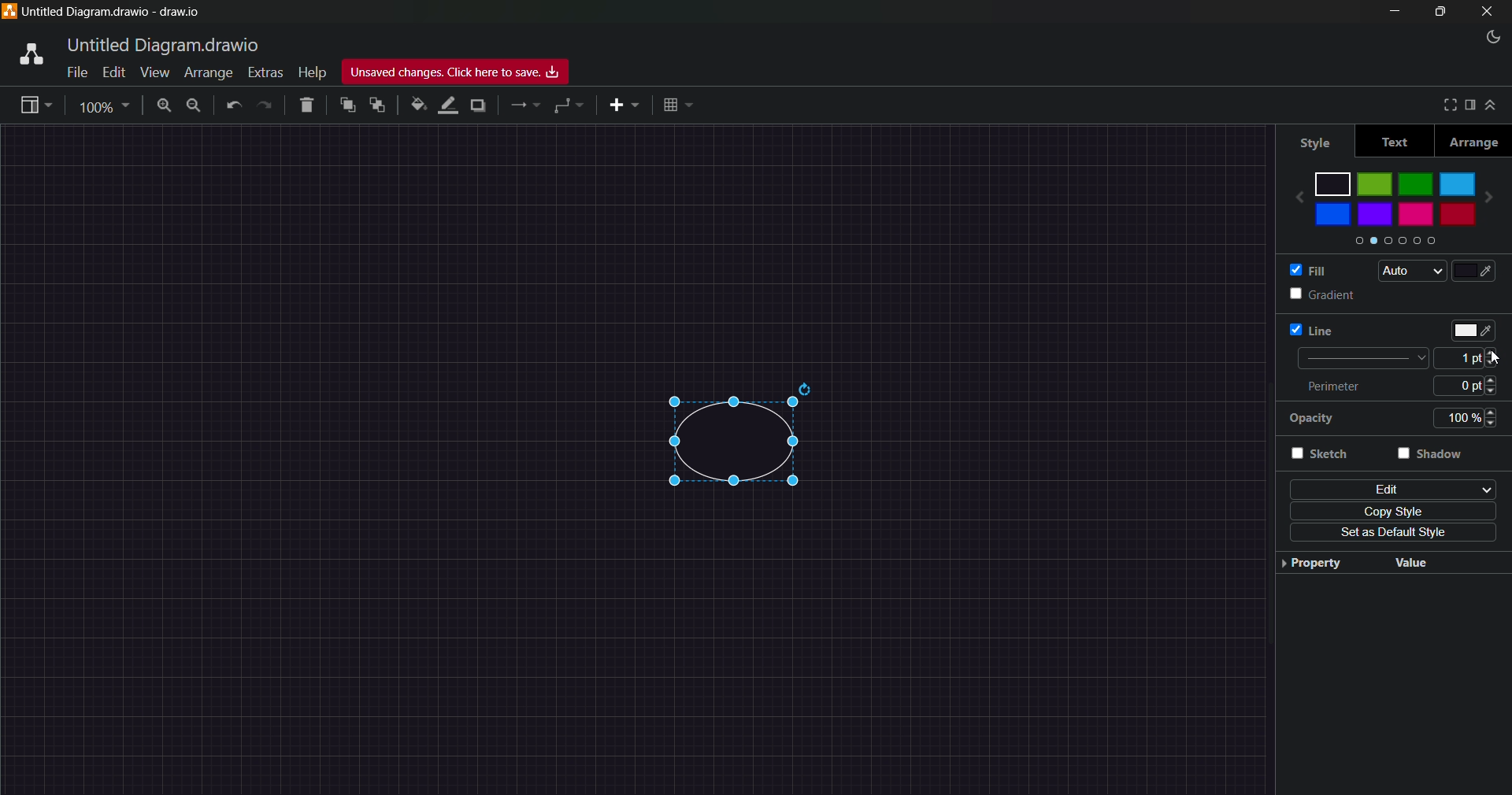 Image resolution: width=1512 pixels, height=795 pixels. I want to click on view, so click(33, 103).